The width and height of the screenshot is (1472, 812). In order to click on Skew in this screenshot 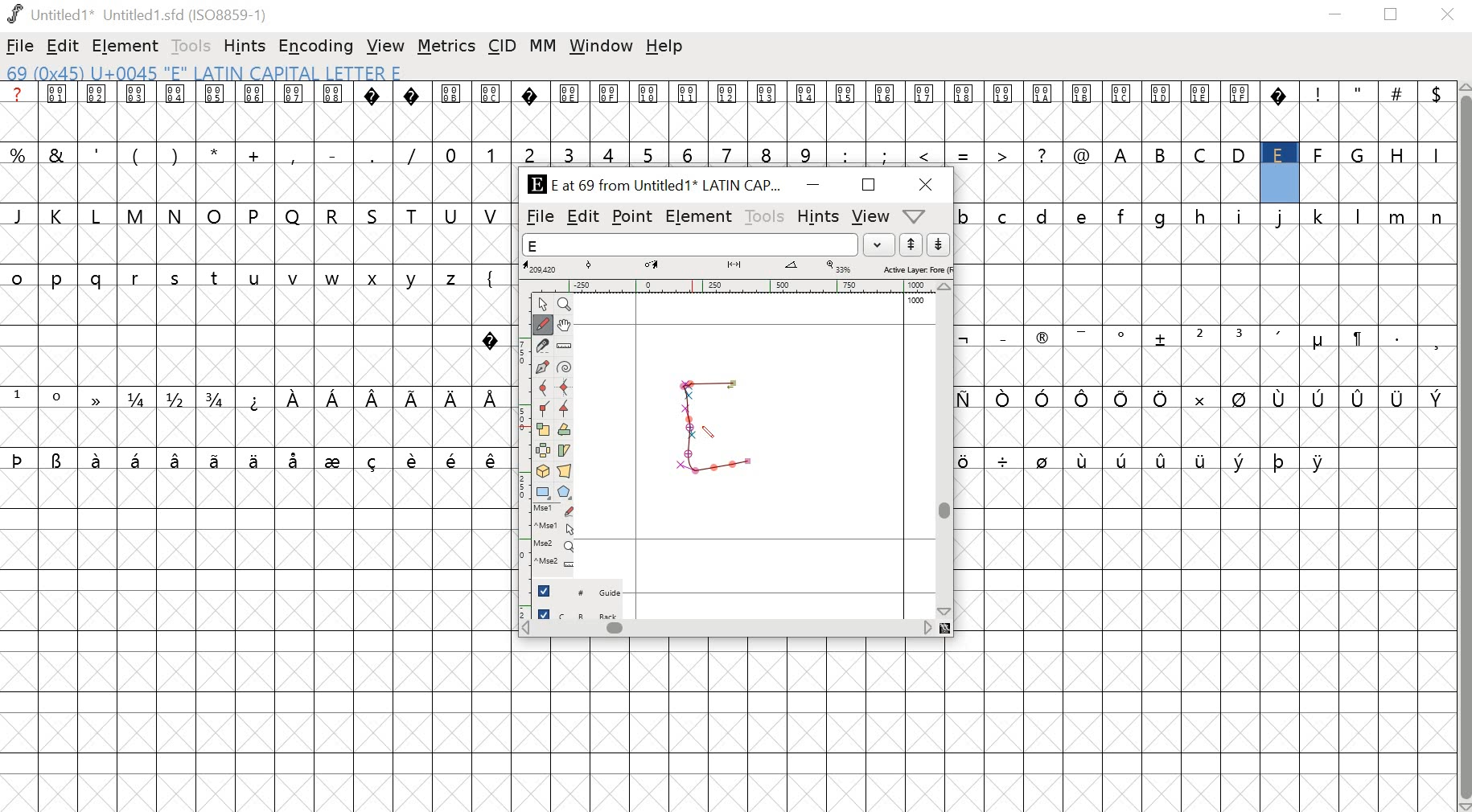, I will do `click(566, 450)`.